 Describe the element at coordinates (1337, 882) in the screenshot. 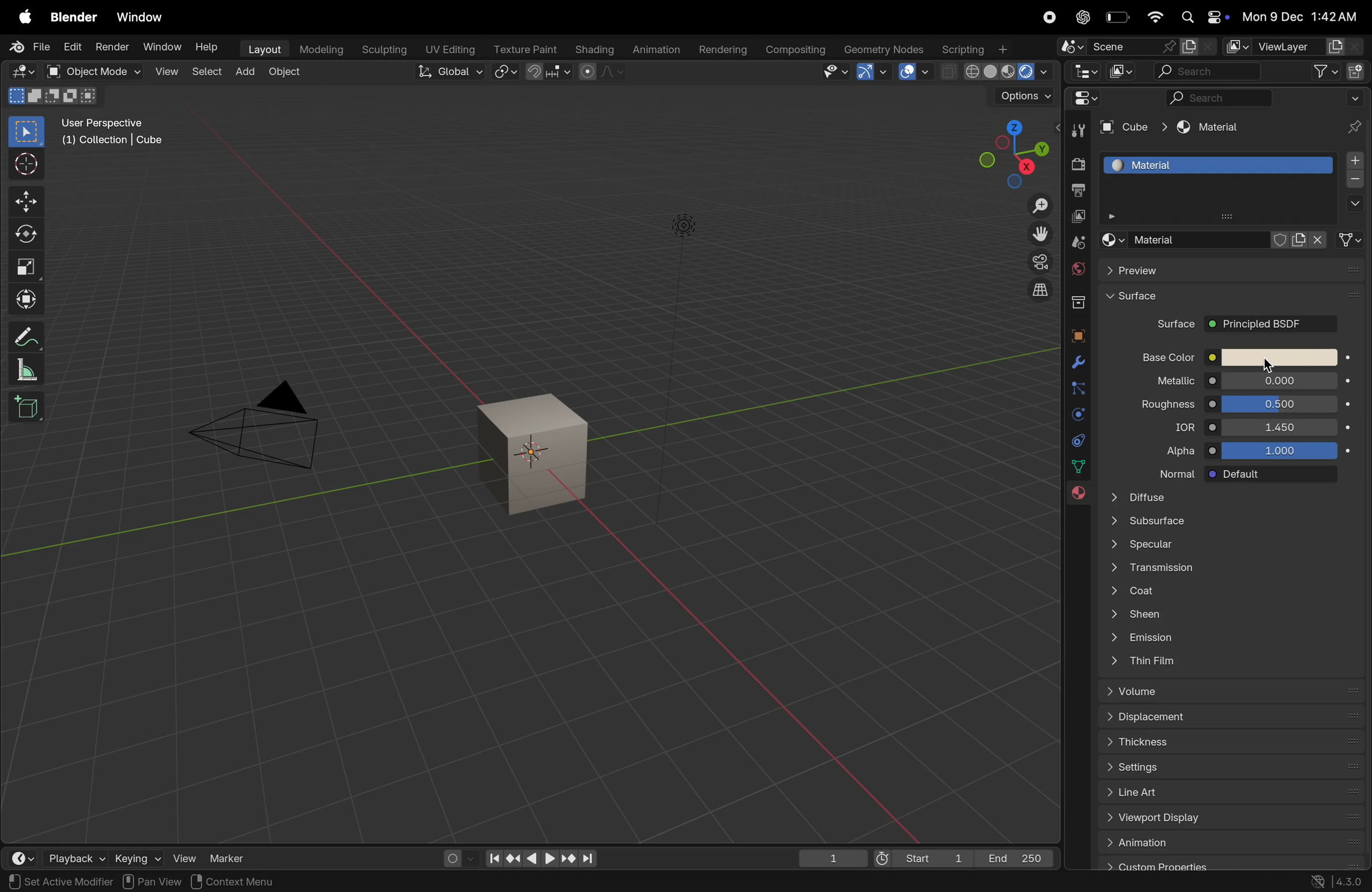

I see `version` at that location.